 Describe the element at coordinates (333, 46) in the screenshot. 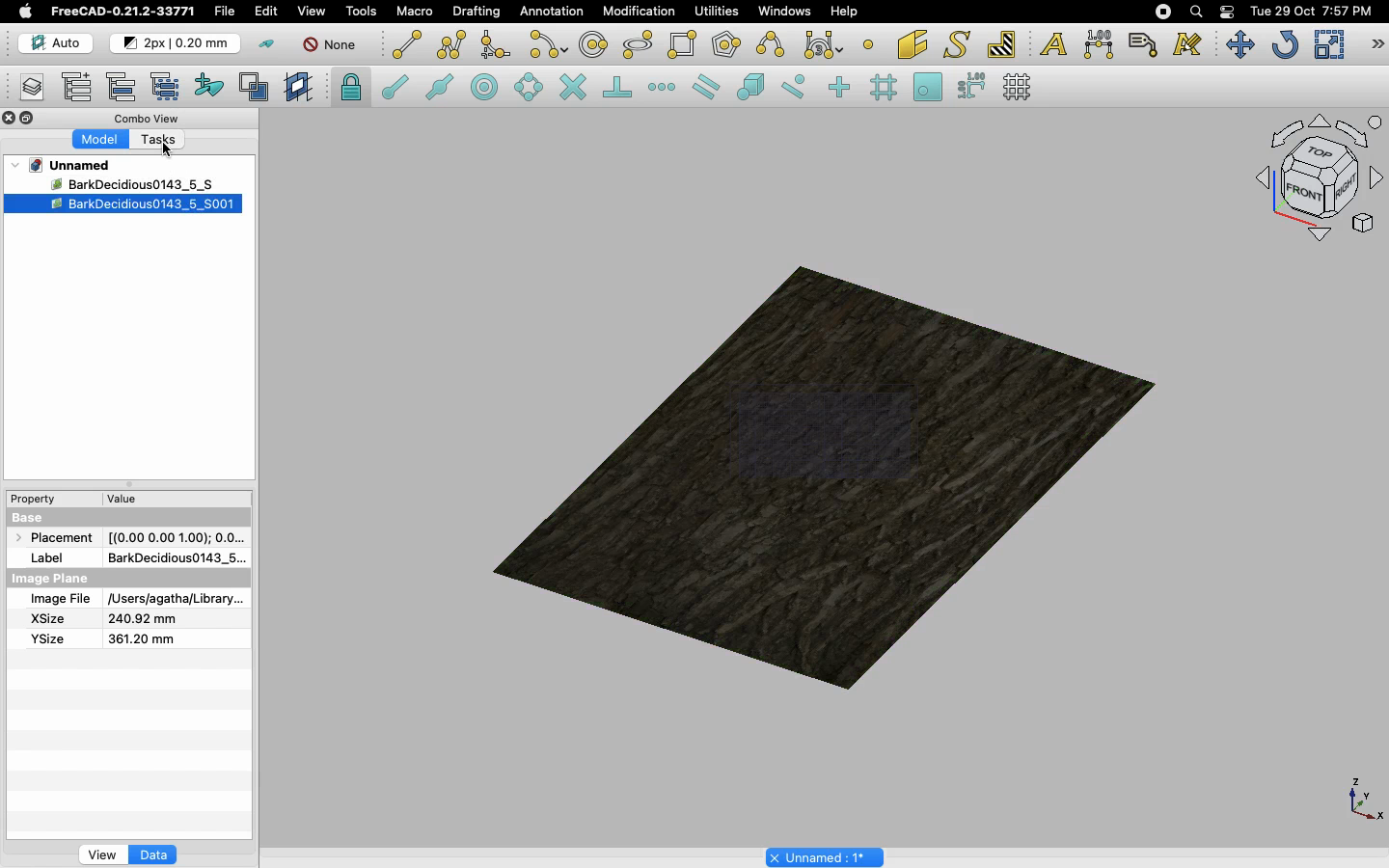

I see `Autogroup off` at that location.